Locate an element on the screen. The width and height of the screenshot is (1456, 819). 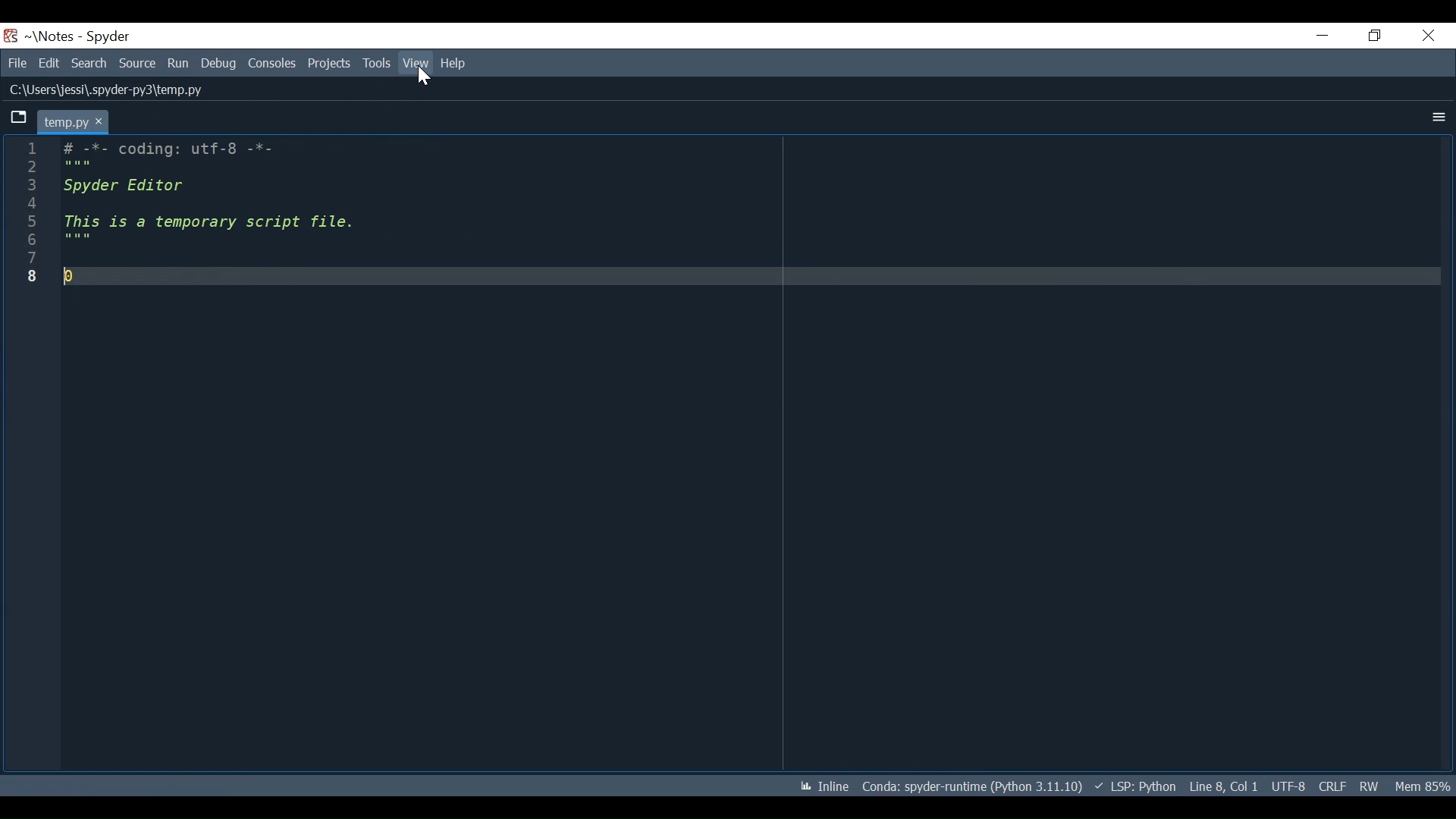
Spyder Desktop Icon is located at coordinates (10, 36).